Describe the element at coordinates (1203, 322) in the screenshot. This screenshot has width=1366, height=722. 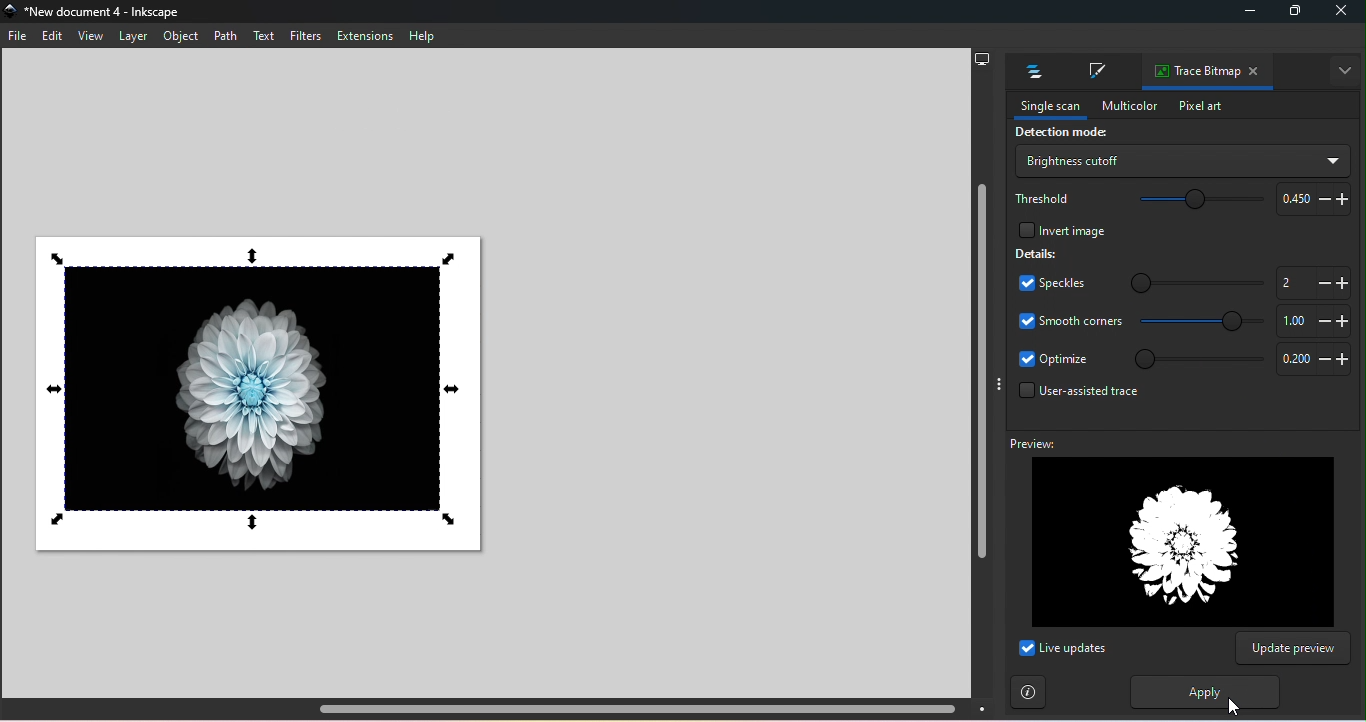
I see `Smooth corners slide bar` at that location.